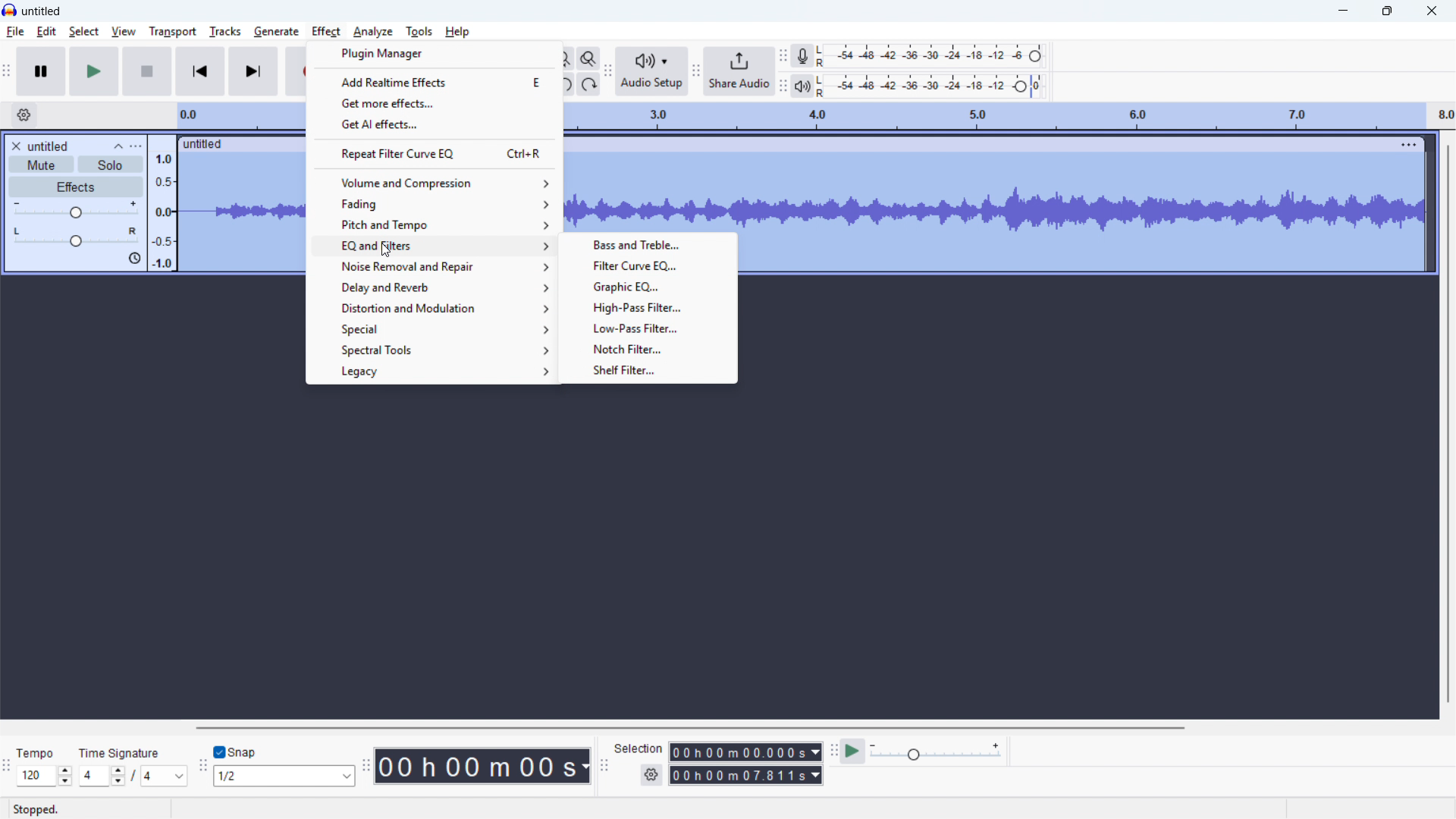 This screenshot has width=1456, height=819. What do you see at coordinates (36, 754) in the screenshot?
I see `tempo` at bounding box center [36, 754].